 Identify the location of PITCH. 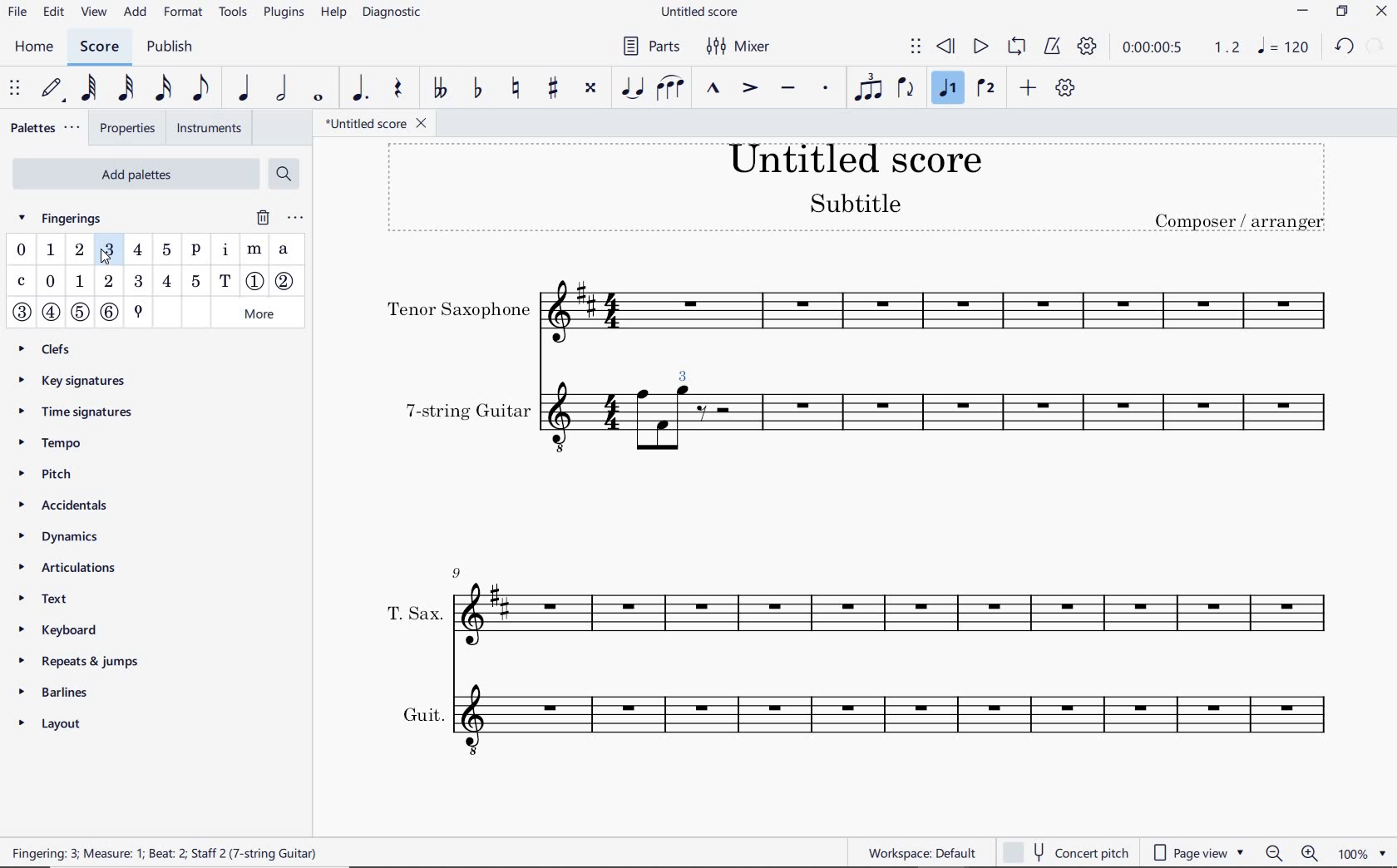
(64, 473).